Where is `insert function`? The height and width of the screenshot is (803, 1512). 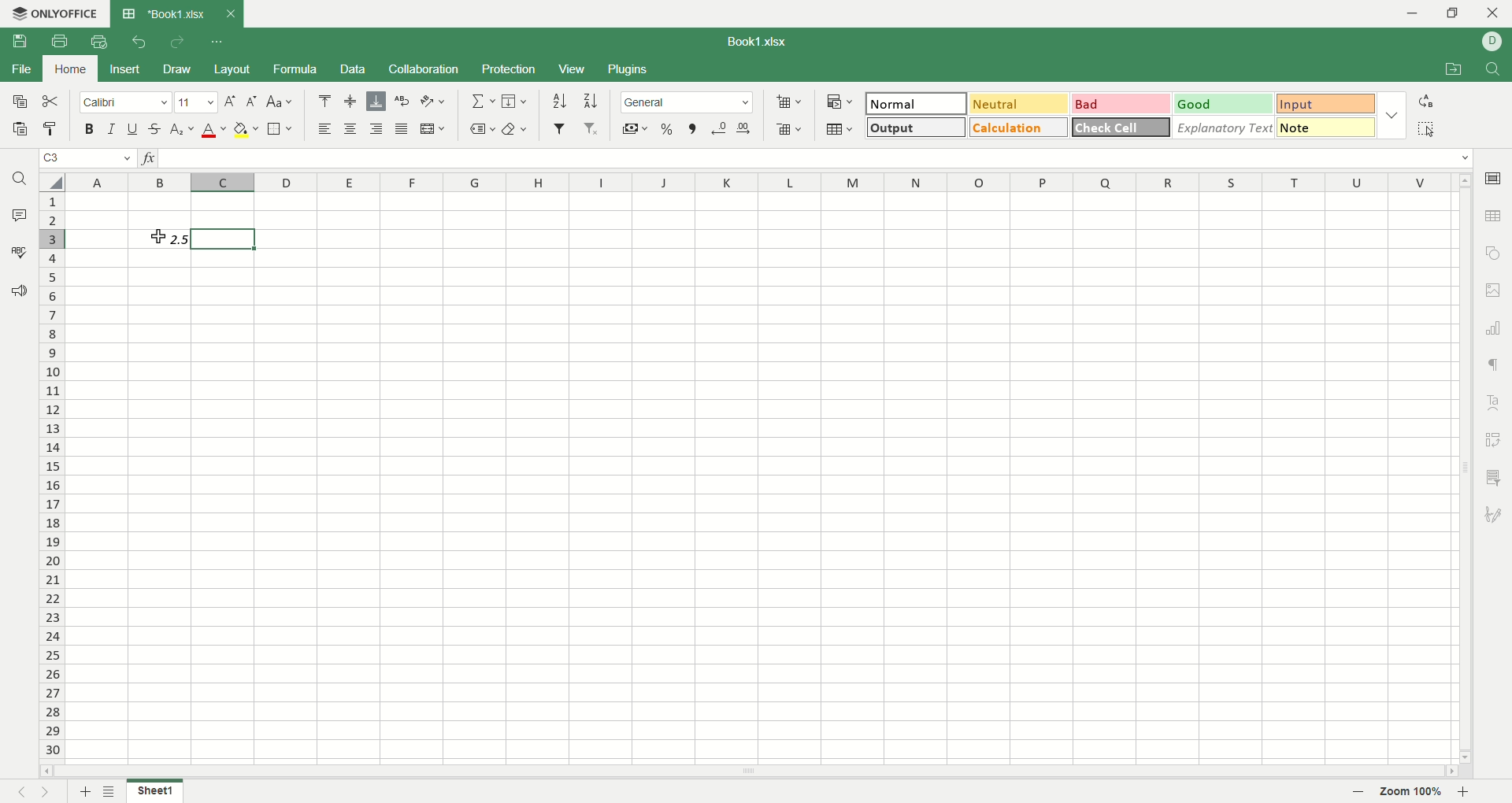
insert function is located at coordinates (149, 158).